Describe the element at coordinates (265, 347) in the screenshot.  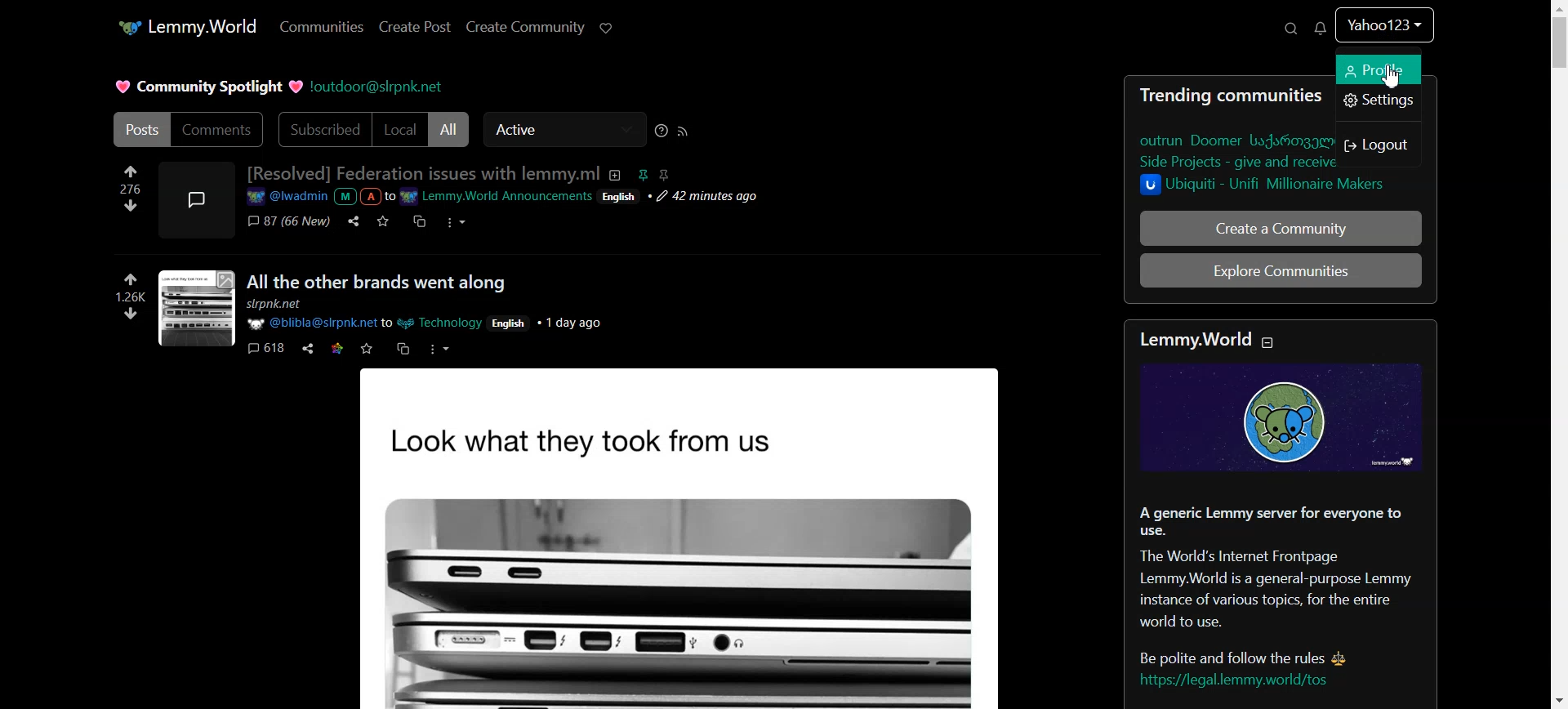
I see `618` at that location.